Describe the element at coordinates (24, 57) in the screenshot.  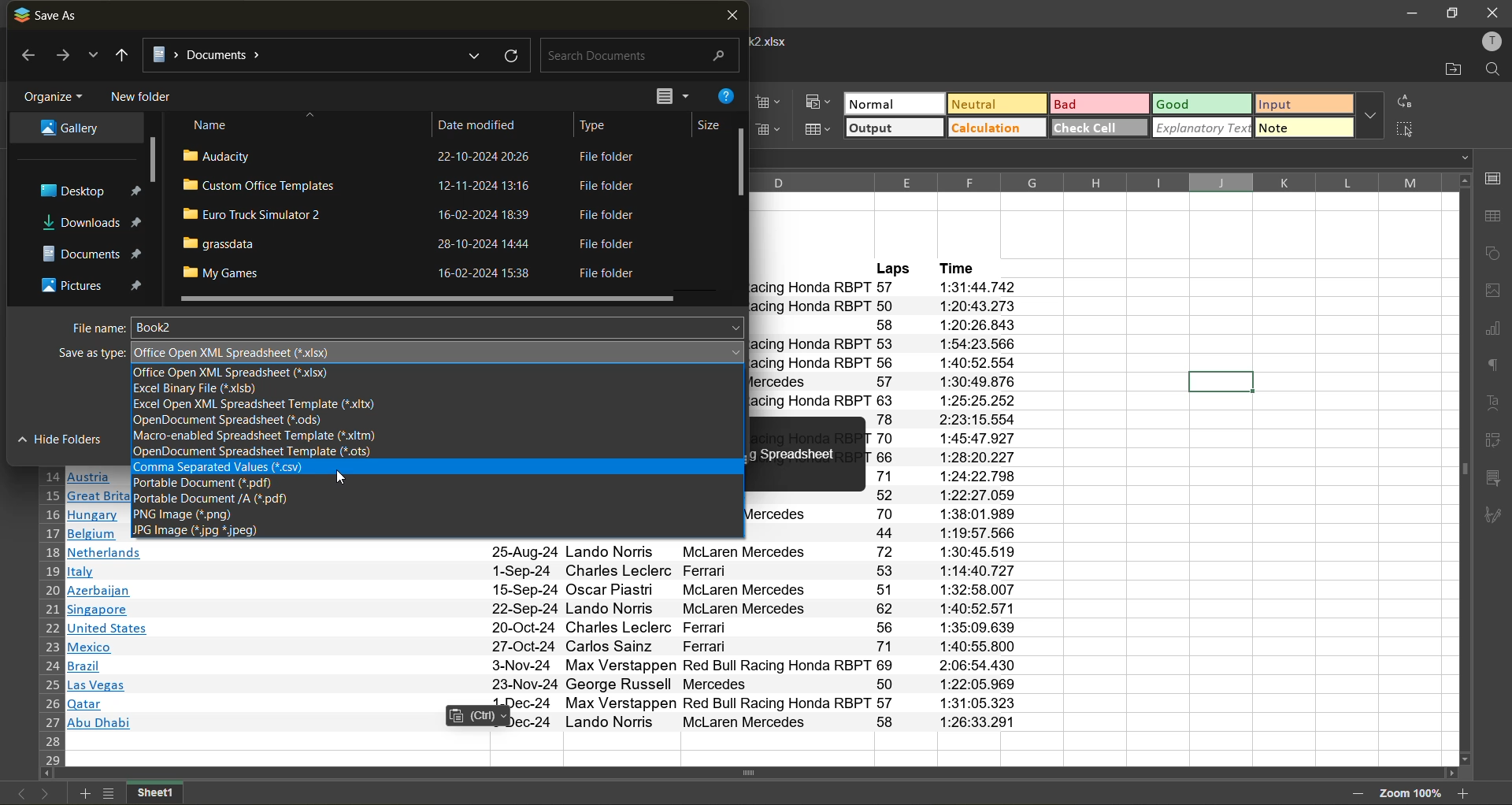
I see `back` at that location.